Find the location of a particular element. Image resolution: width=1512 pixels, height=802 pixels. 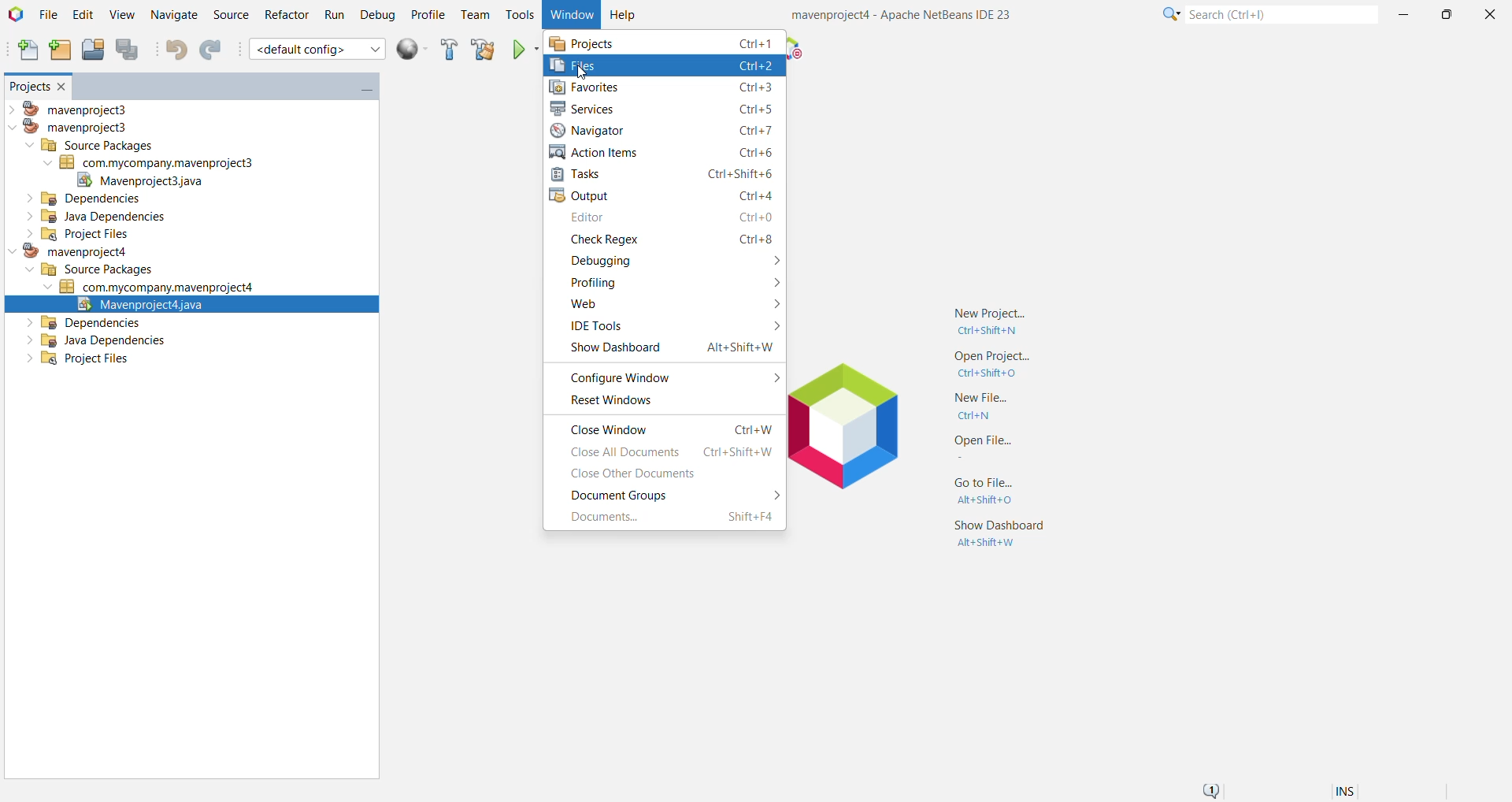

Cursor is located at coordinates (582, 74).